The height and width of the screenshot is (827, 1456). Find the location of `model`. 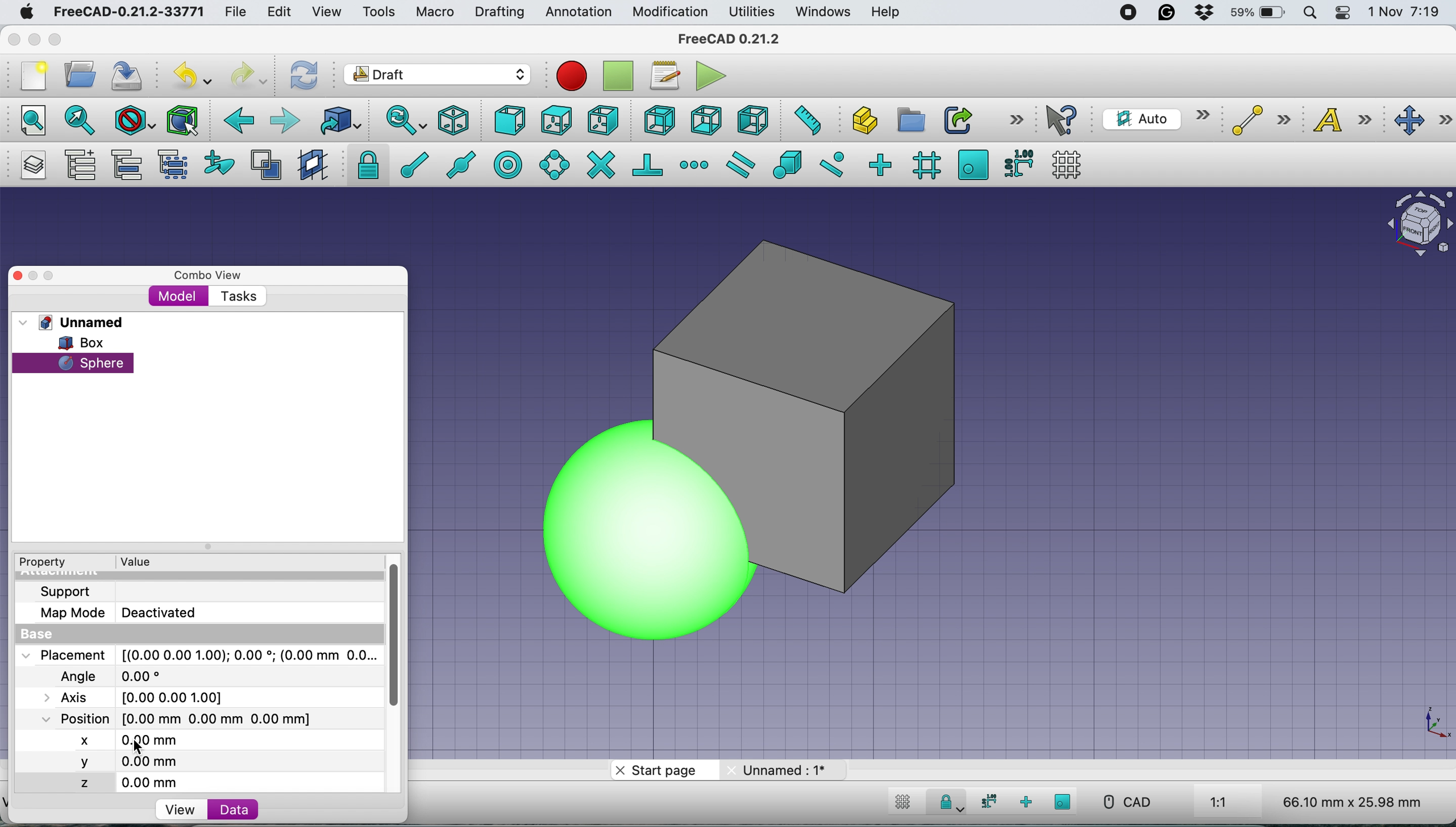

model is located at coordinates (178, 295).